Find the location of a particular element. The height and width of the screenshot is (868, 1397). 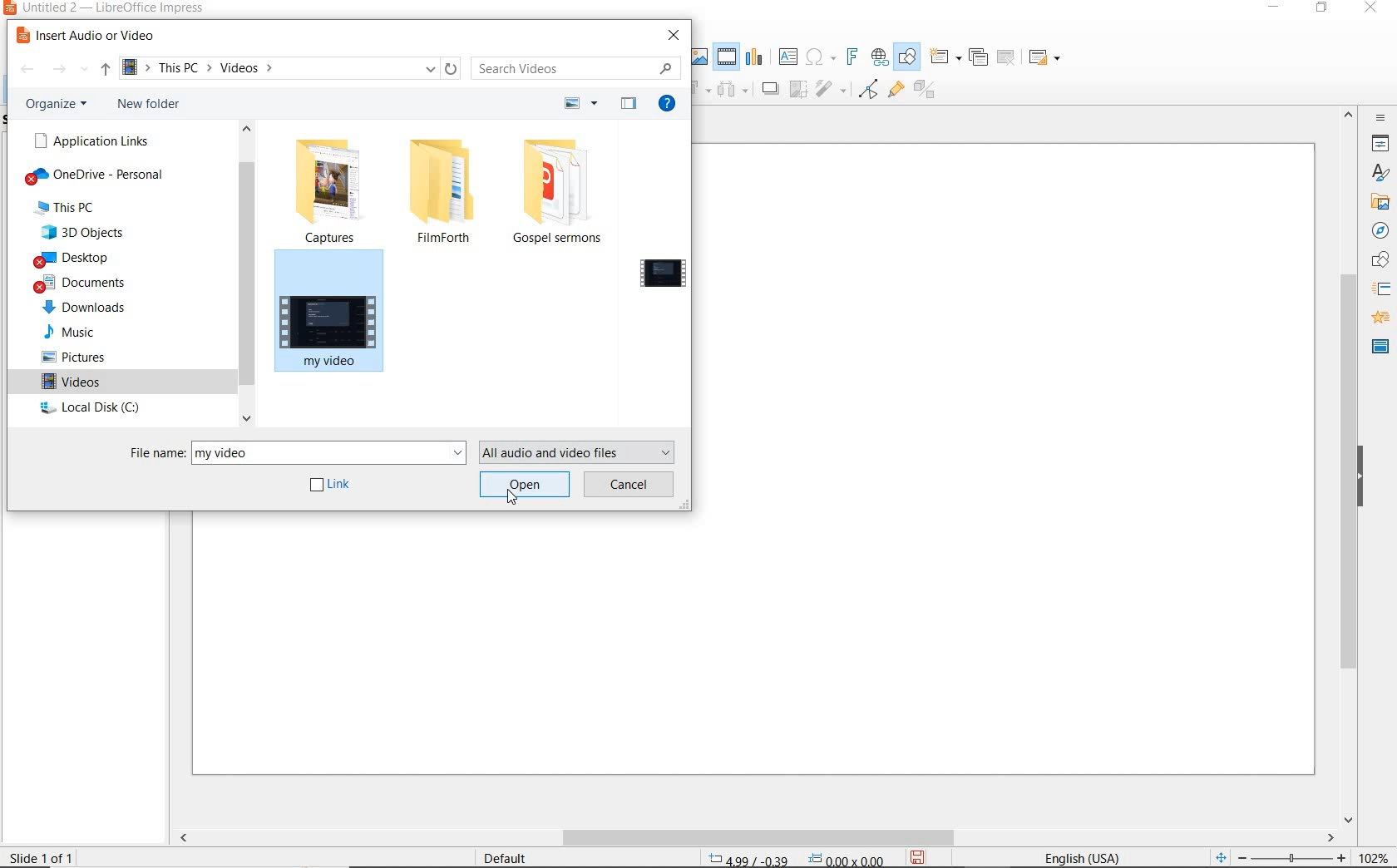

RESTORE DOWN is located at coordinates (1324, 9).